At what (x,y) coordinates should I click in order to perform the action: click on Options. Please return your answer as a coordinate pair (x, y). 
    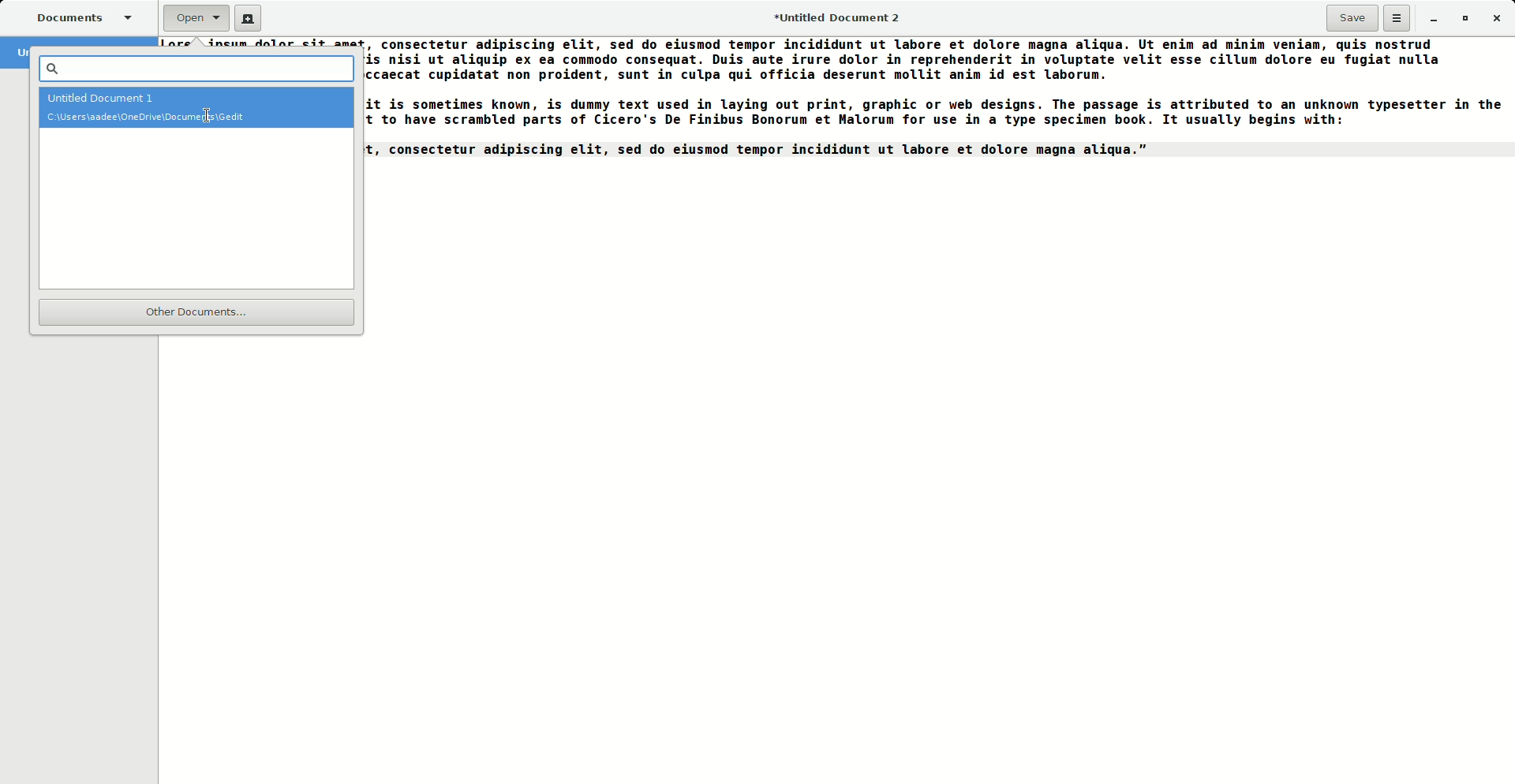
    Looking at the image, I should click on (1397, 18).